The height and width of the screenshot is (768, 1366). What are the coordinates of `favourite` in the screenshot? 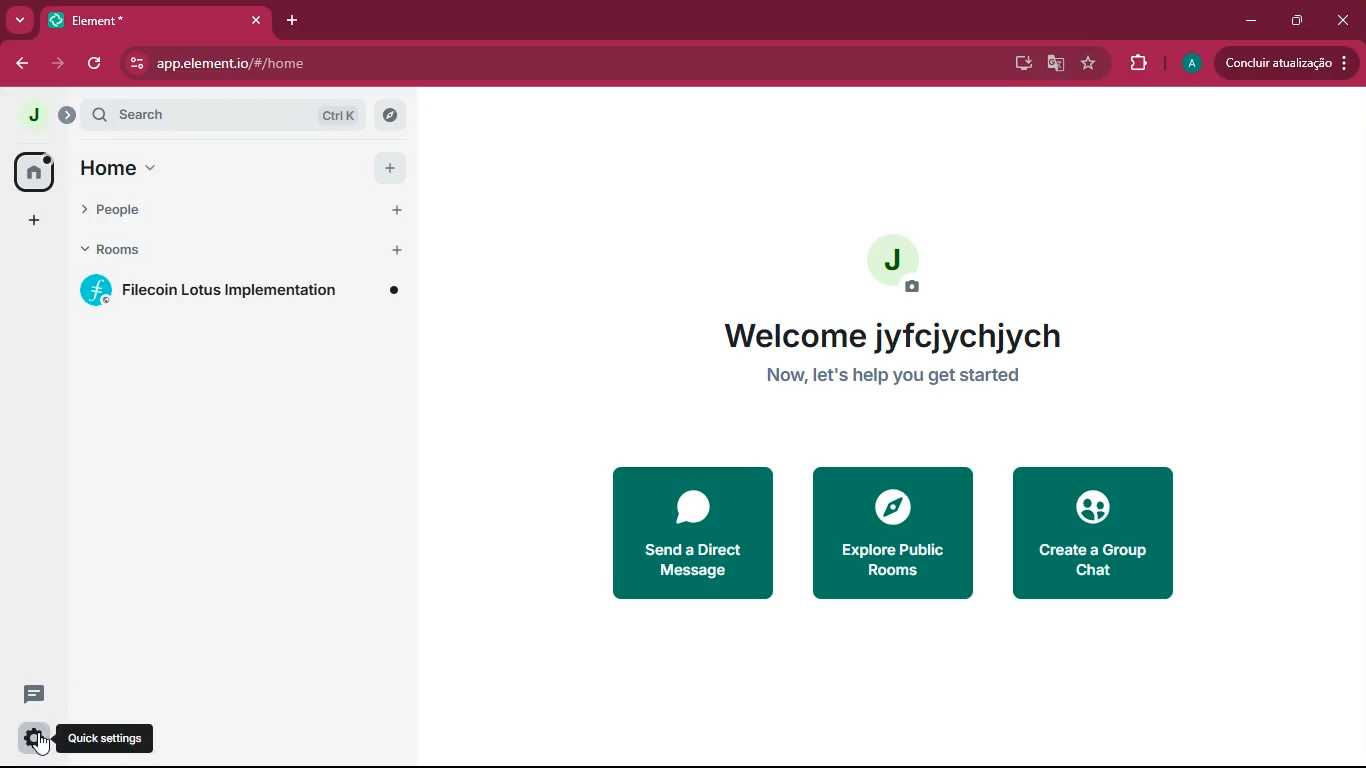 It's located at (1086, 64).